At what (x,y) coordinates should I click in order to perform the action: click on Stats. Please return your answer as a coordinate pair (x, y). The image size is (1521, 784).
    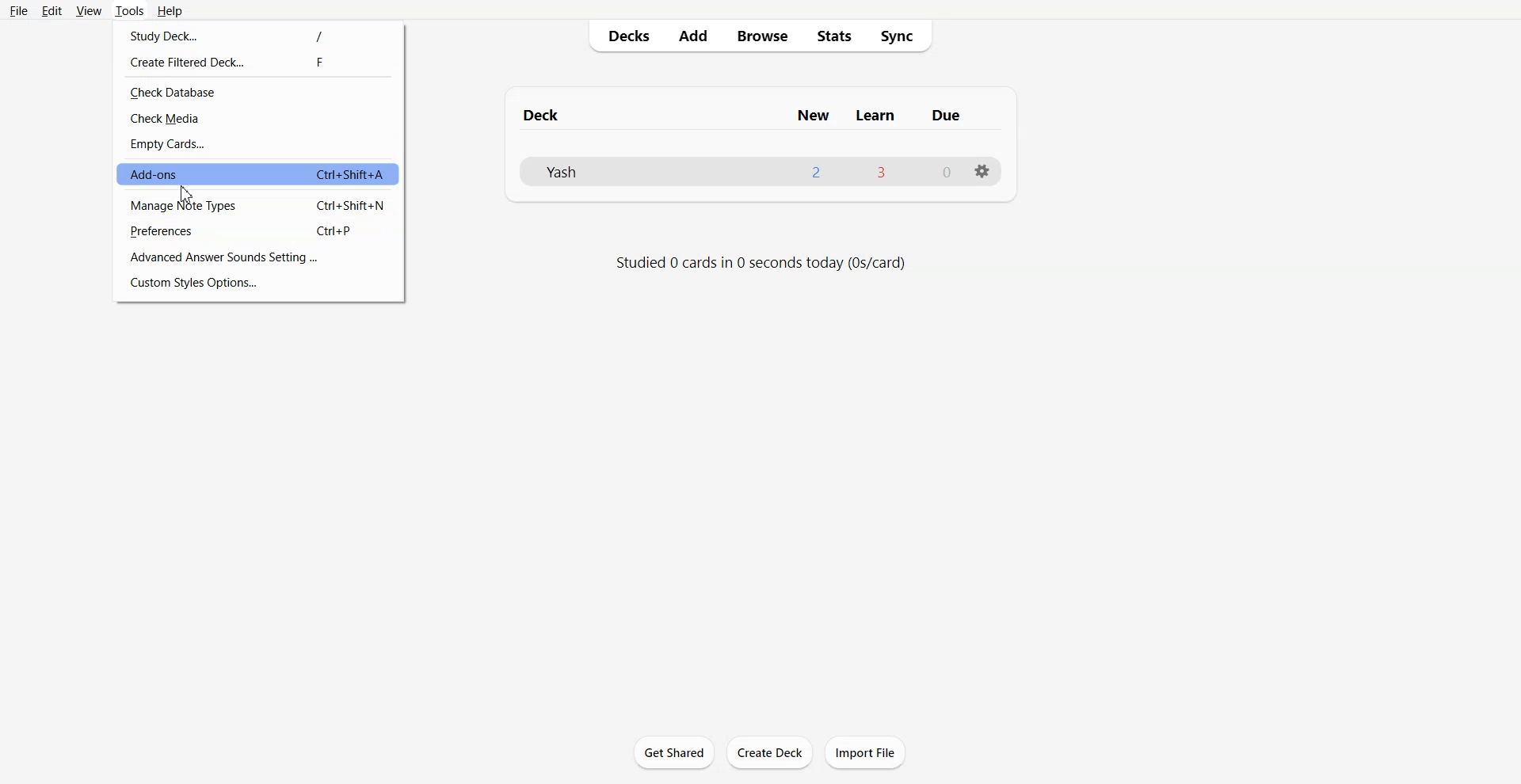
    Looking at the image, I should click on (833, 36).